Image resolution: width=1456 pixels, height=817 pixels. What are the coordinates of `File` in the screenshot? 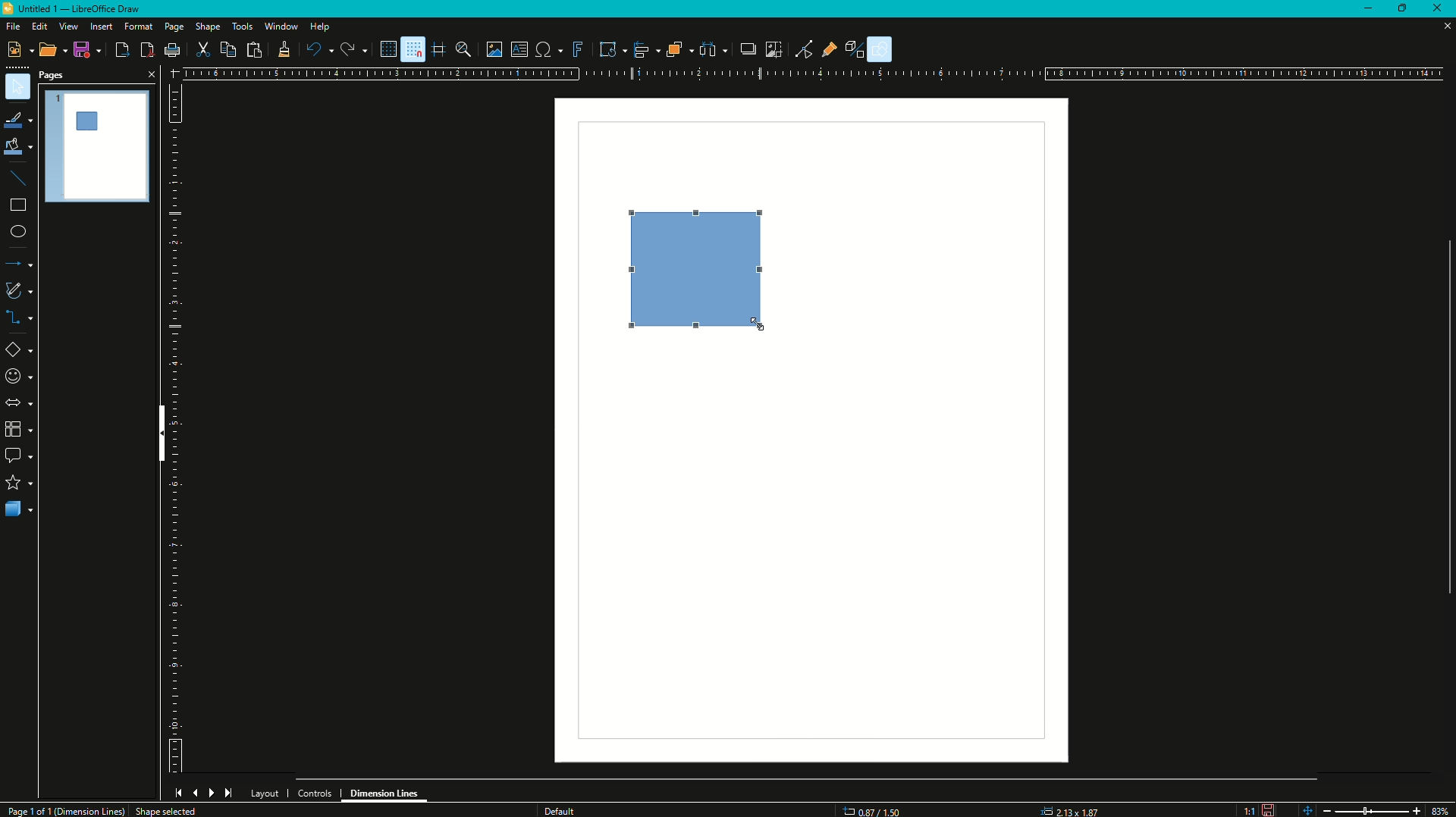 It's located at (12, 27).